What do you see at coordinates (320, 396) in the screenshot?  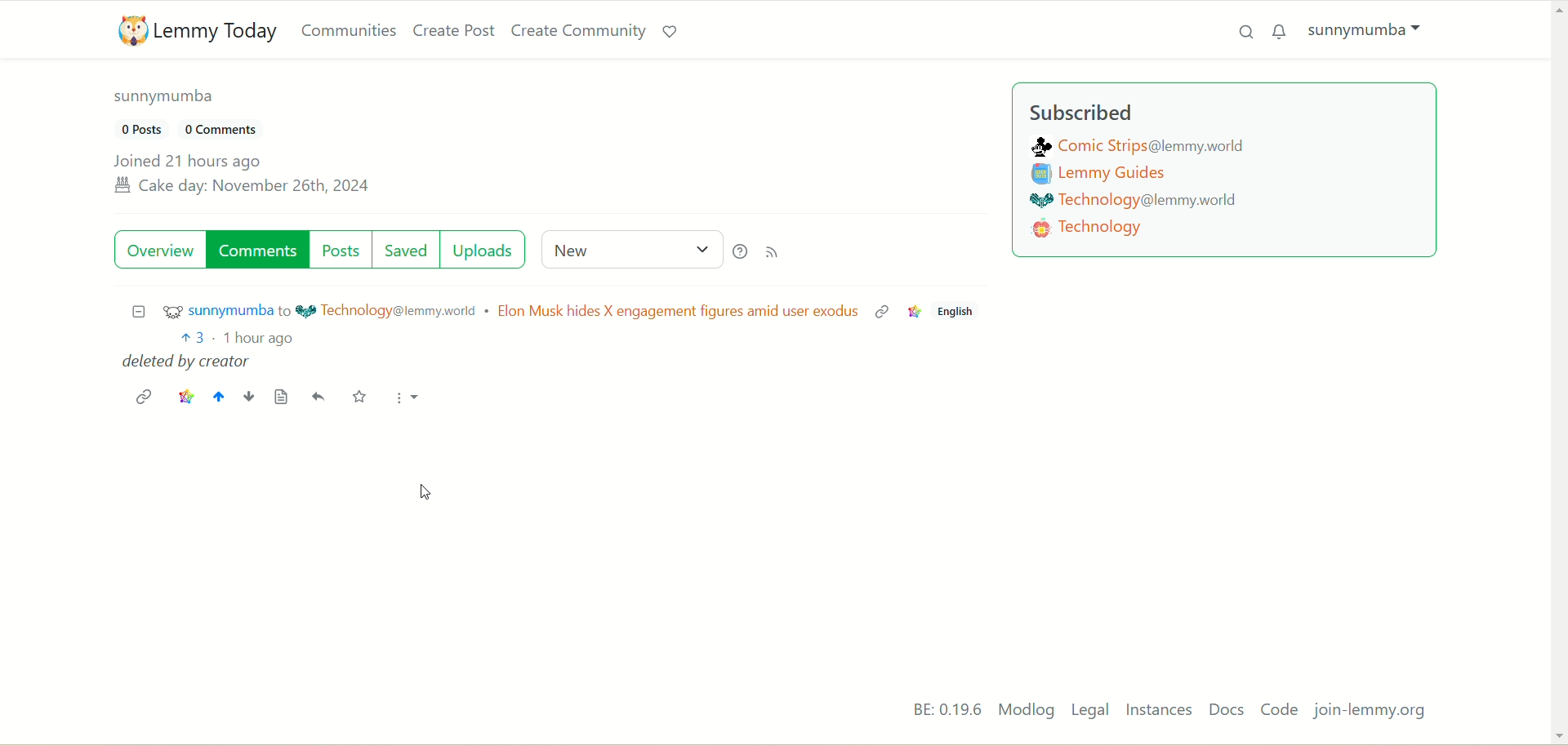 I see `reply` at bounding box center [320, 396].